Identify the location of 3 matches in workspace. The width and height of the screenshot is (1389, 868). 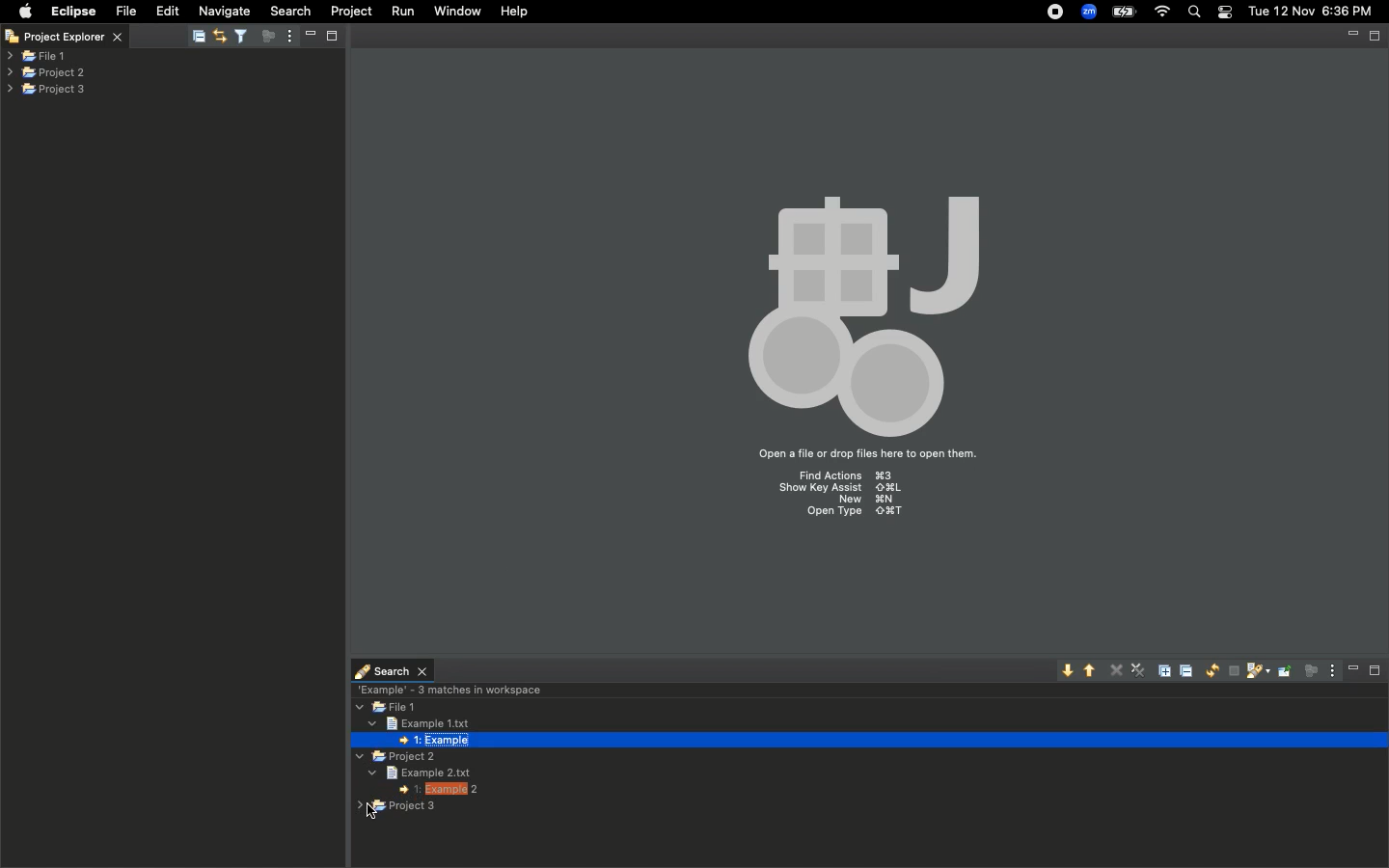
(449, 689).